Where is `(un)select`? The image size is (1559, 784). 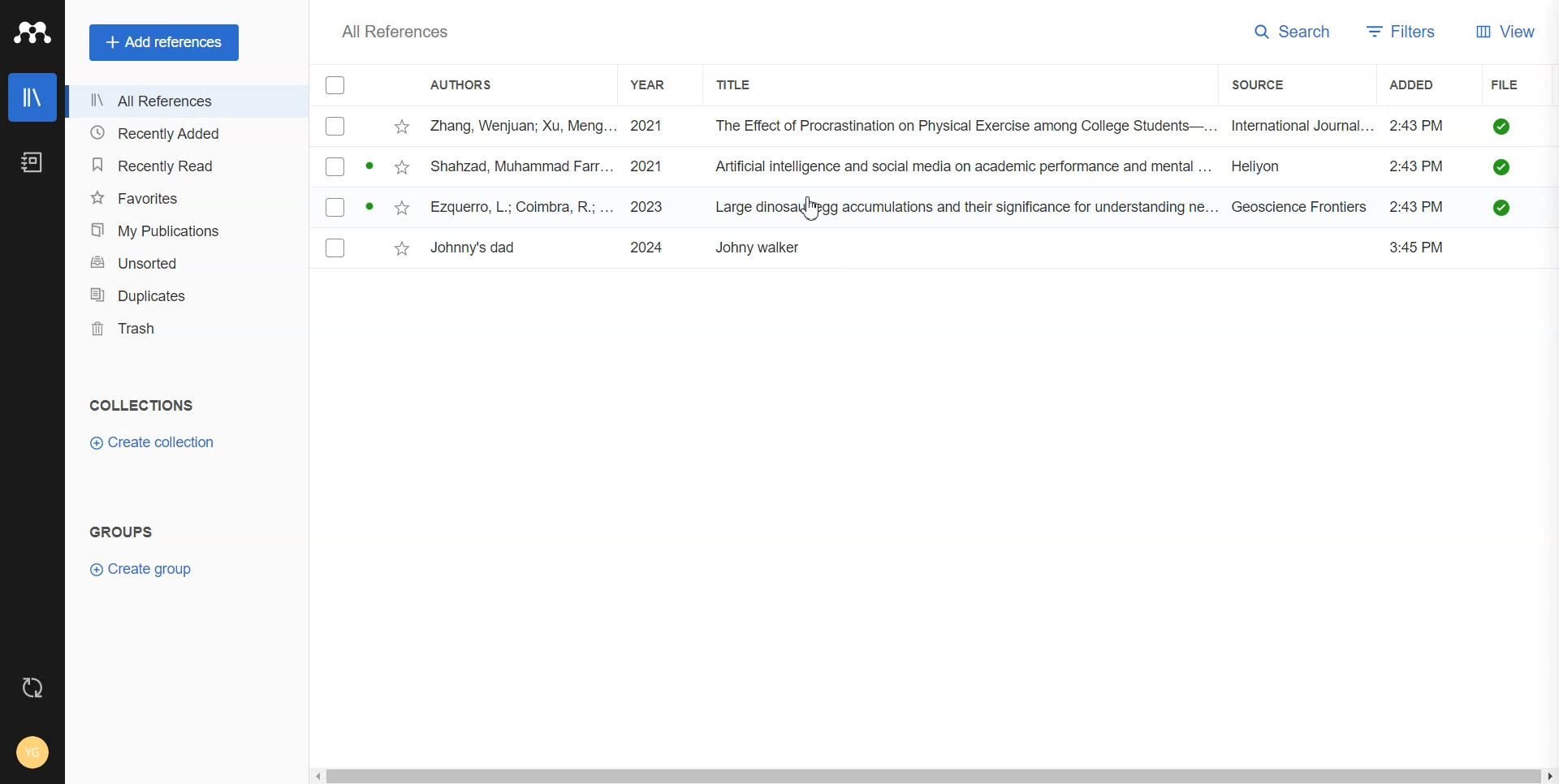
(un)select is located at coordinates (335, 209).